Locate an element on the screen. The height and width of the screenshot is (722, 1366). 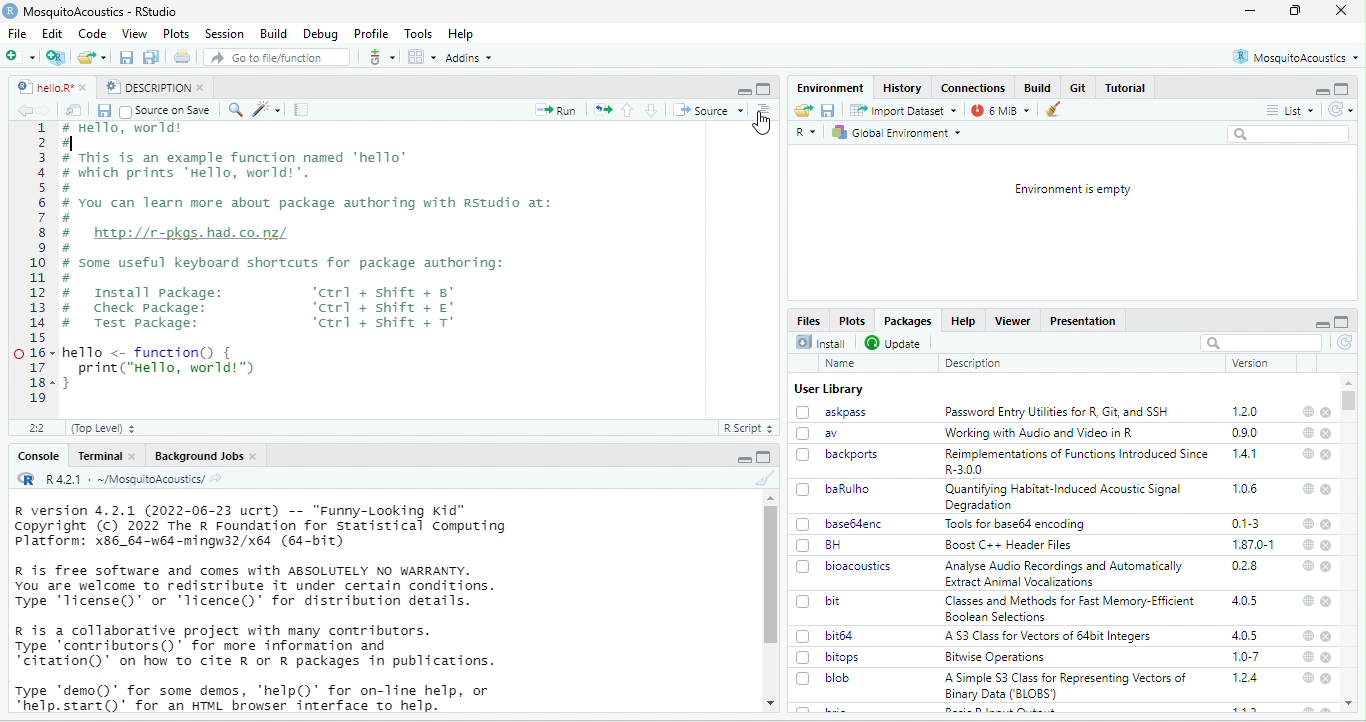
full screen is located at coordinates (1342, 322).